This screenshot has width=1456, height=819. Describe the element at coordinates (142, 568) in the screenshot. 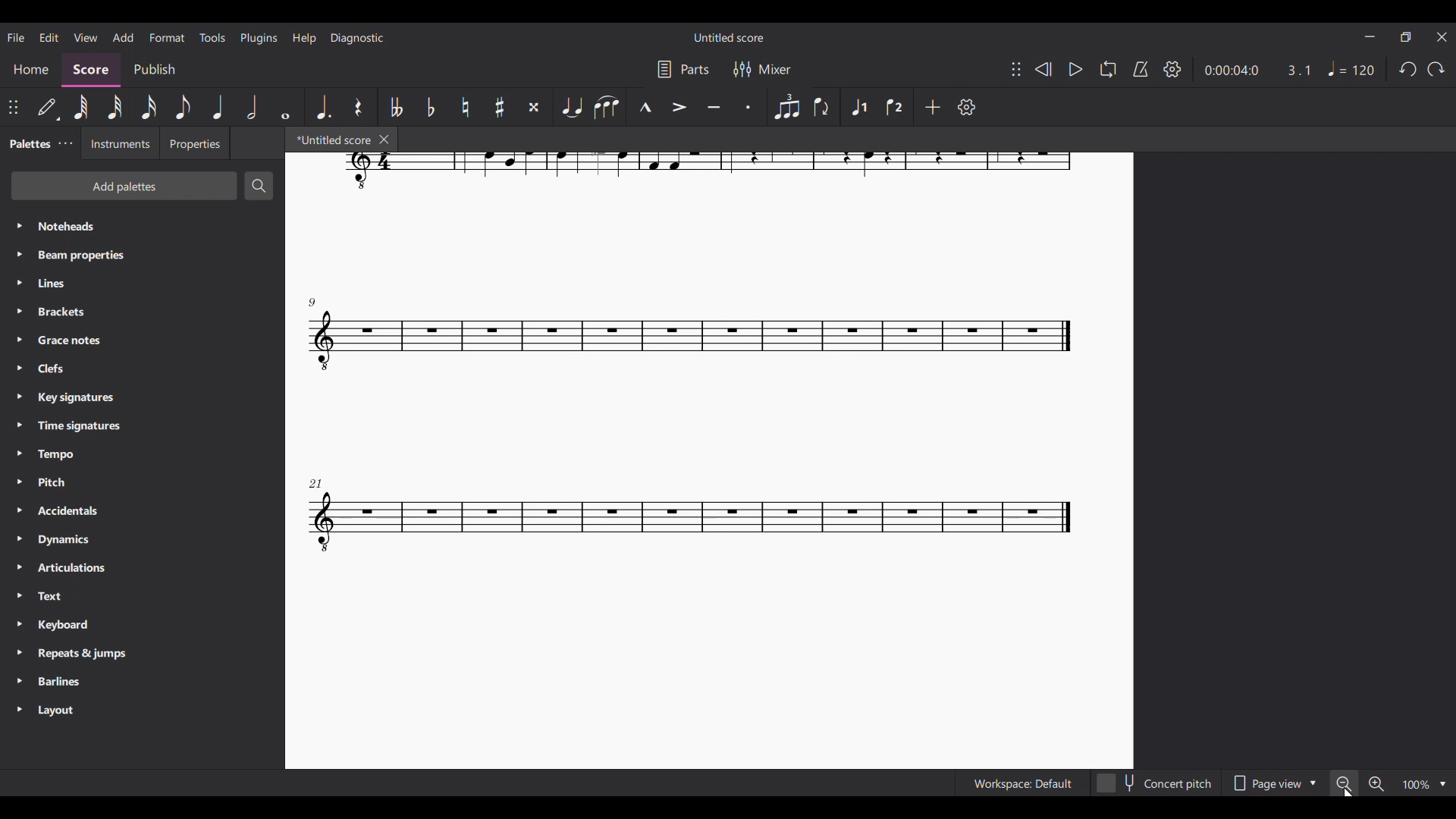

I see `Articulations` at that location.